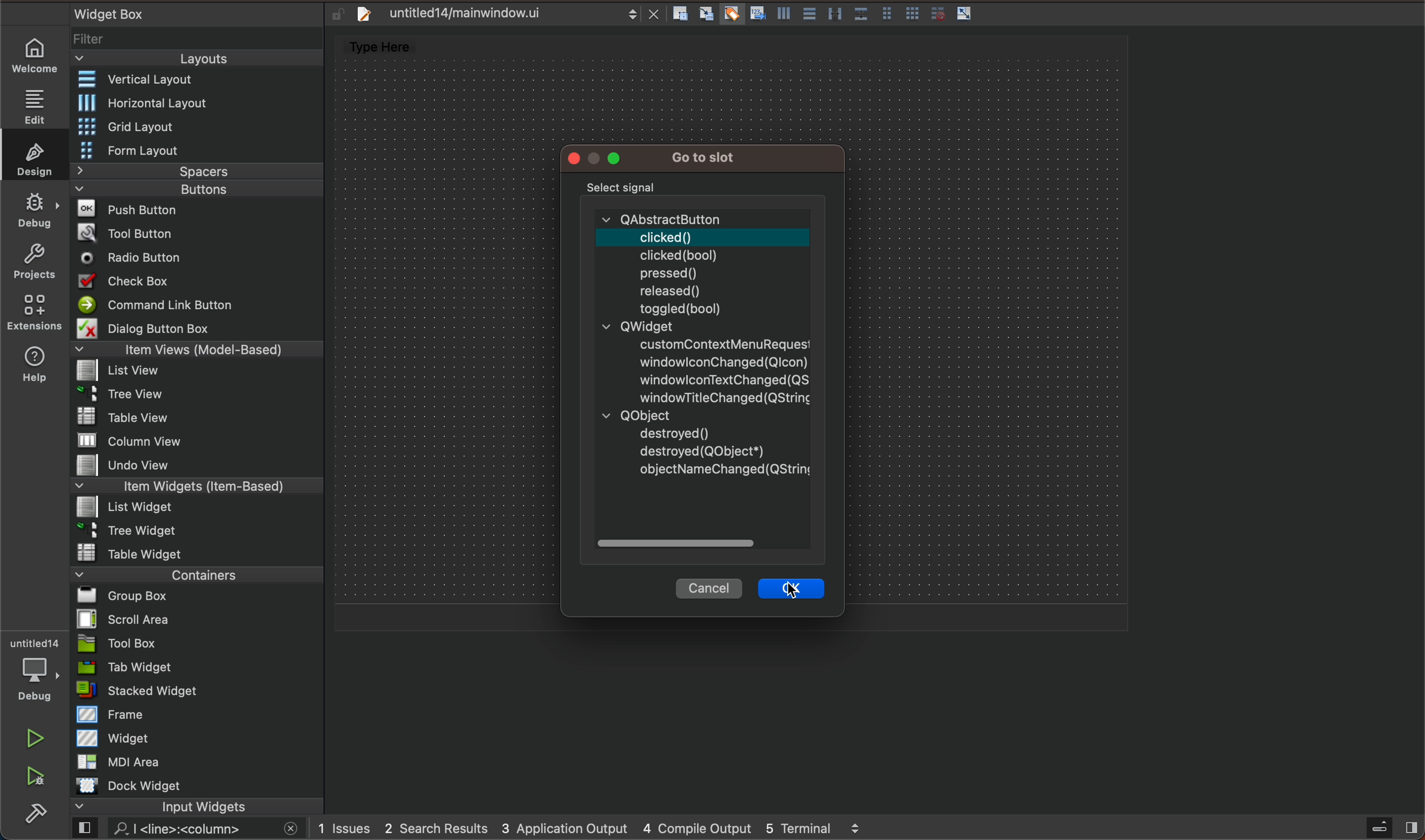 The image size is (1425, 840). What do you see at coordinates (705, 262) in the screenshot?
I see `abstract button` at bounding box center [705, 262].